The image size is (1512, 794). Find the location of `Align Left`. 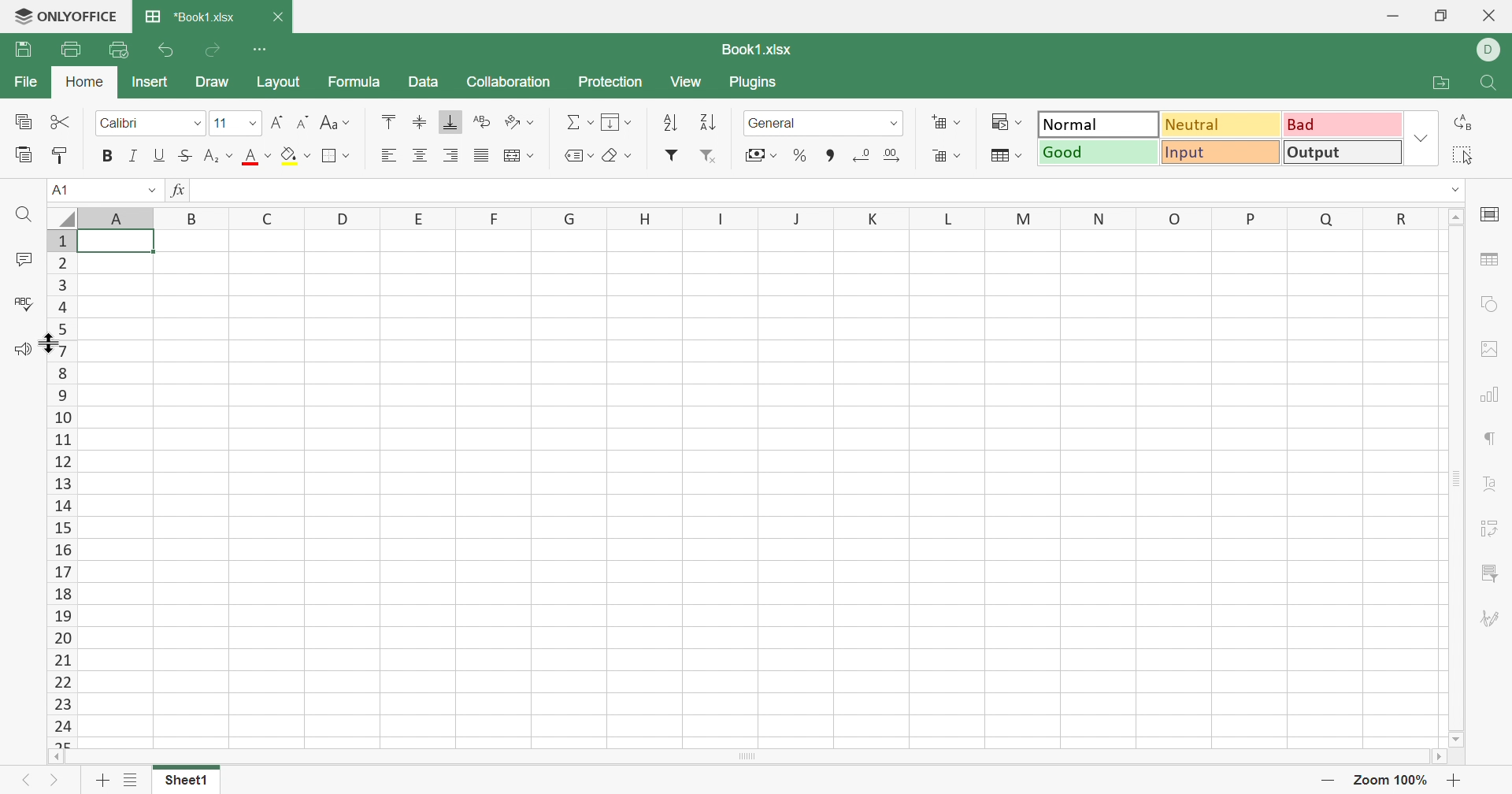

Align Left is located at coordinates (391, 154).